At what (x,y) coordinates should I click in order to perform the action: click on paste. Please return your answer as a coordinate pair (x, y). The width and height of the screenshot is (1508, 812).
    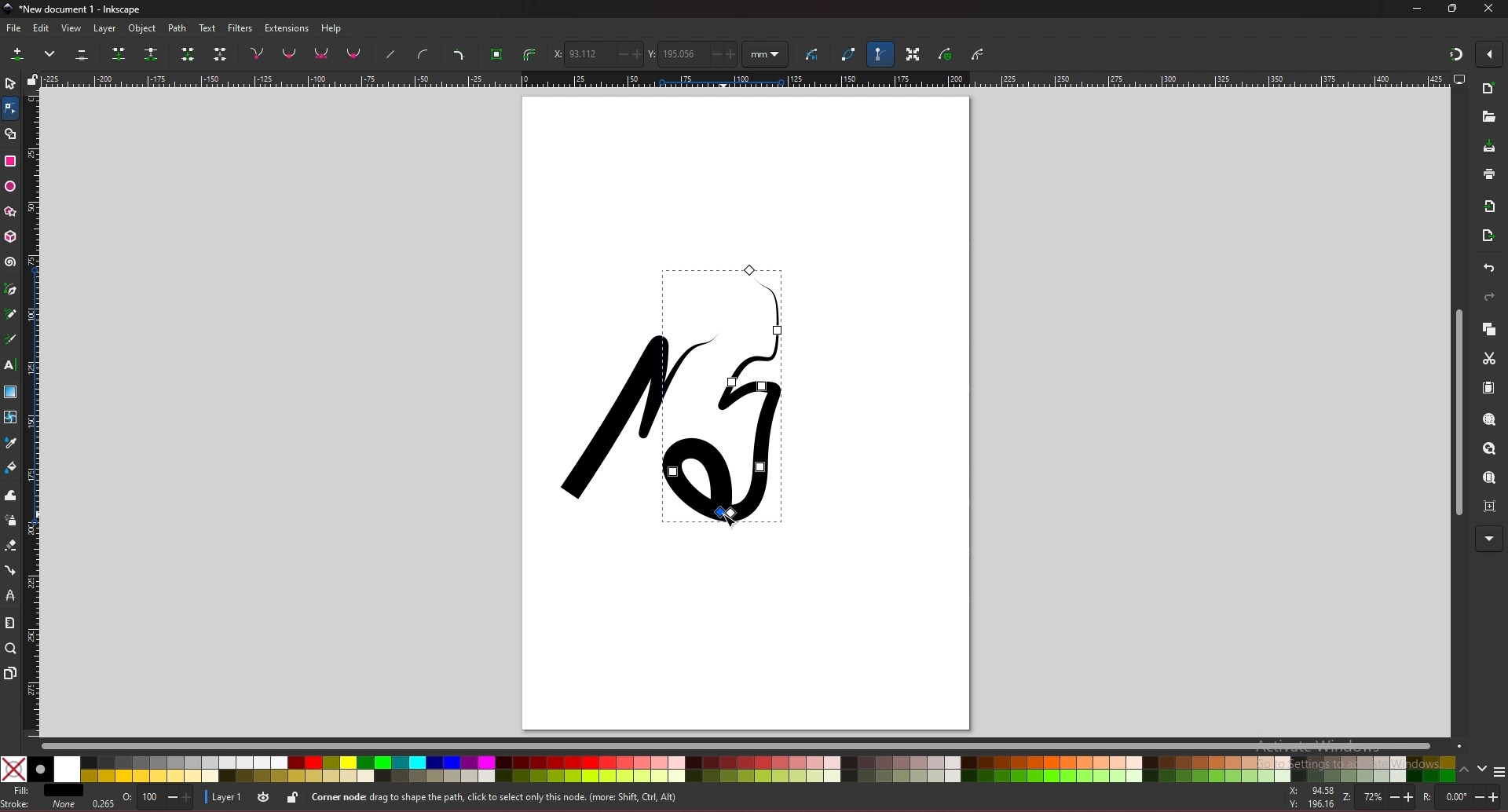
    Looking at the image, I should click on (1488, 388).